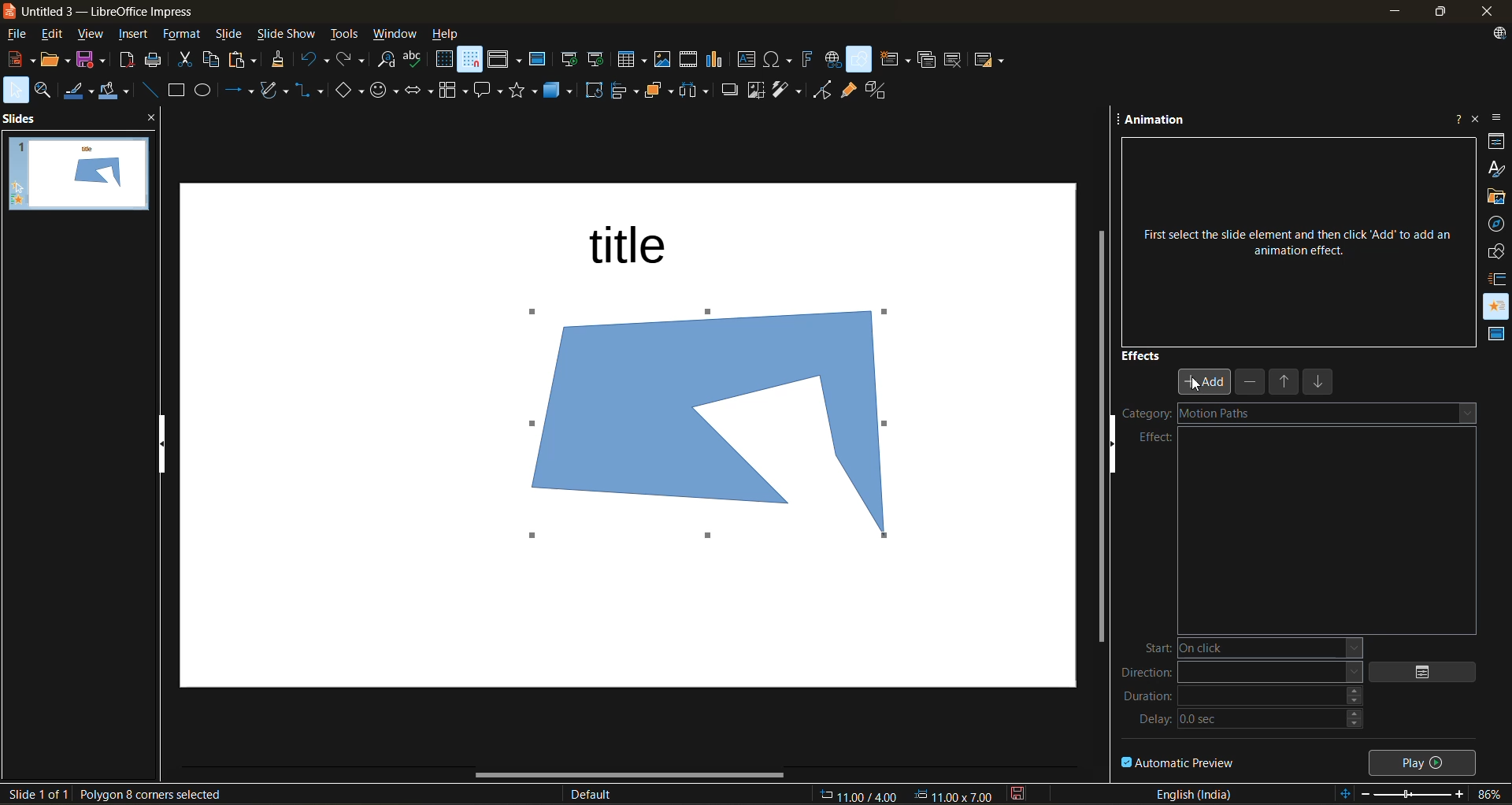 This screenshot has height=805, width=1512. What do you see at coordinates (443, 61) in the screenshot?
I see `display grid` at bounding box center [443, 61].